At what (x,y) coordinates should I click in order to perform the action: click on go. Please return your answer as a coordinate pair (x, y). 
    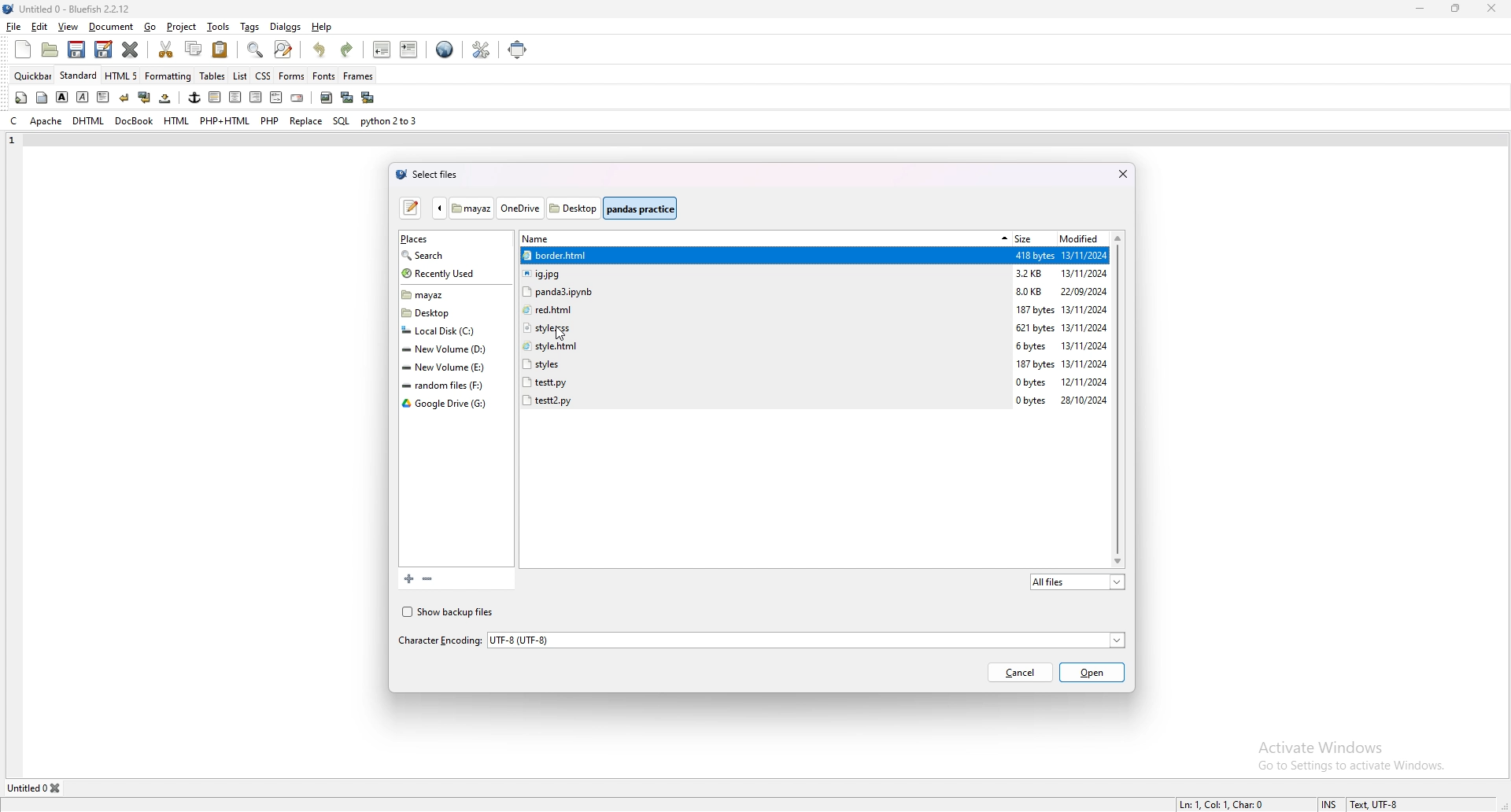
    Looking at the image, I should click on (152, 27).